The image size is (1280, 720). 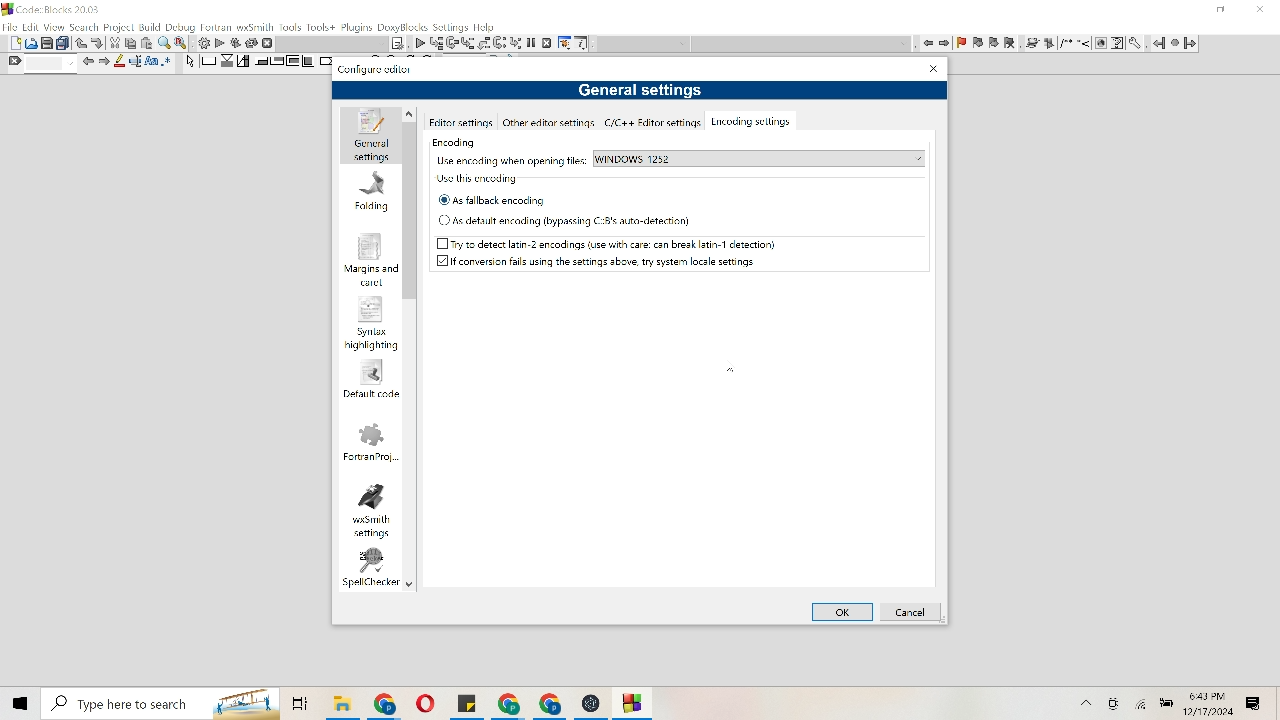 I want to click on Cursor, so click(x=731, y=367).